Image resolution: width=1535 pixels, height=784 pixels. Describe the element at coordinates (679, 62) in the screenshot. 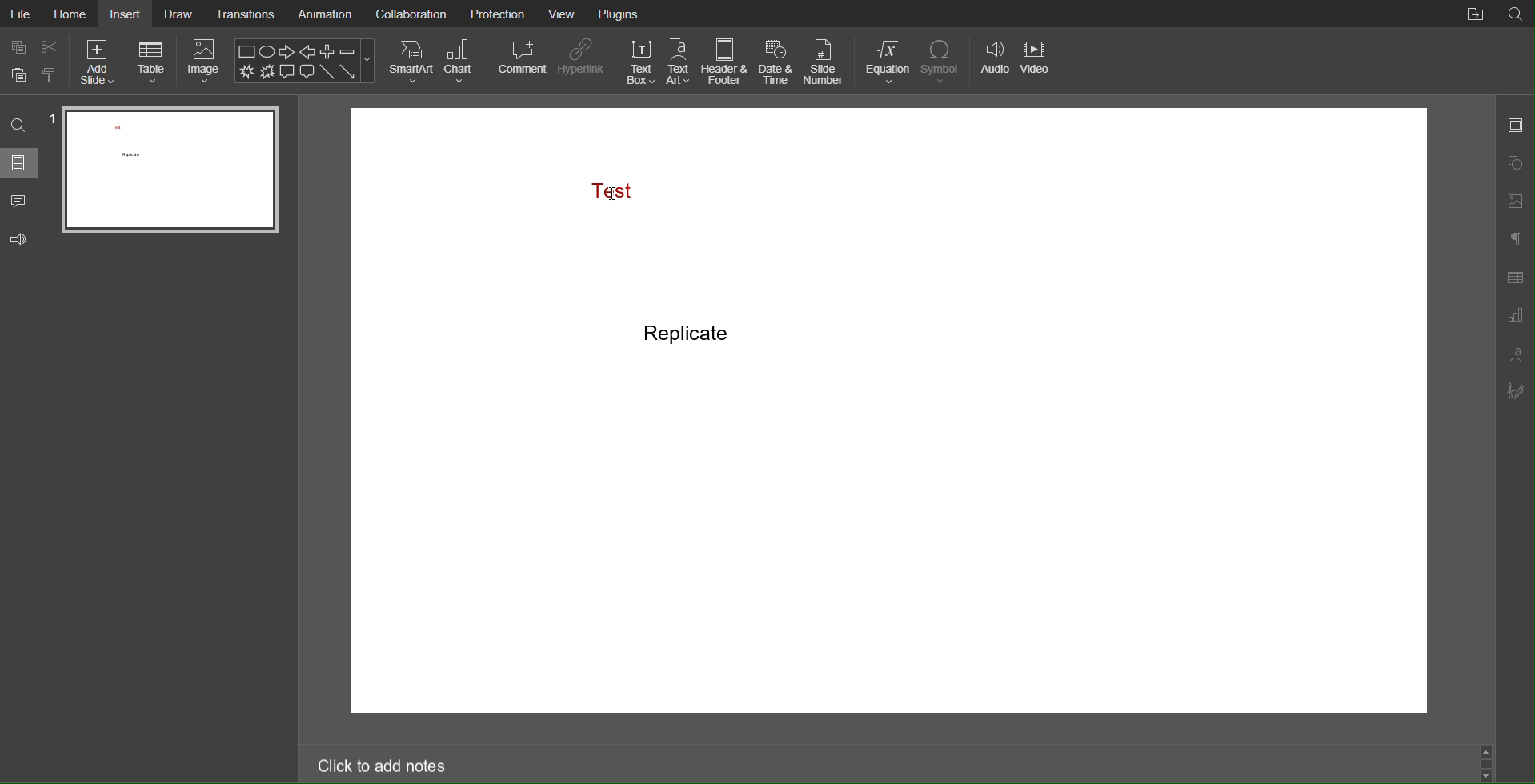

I see `Text Art` at that location.